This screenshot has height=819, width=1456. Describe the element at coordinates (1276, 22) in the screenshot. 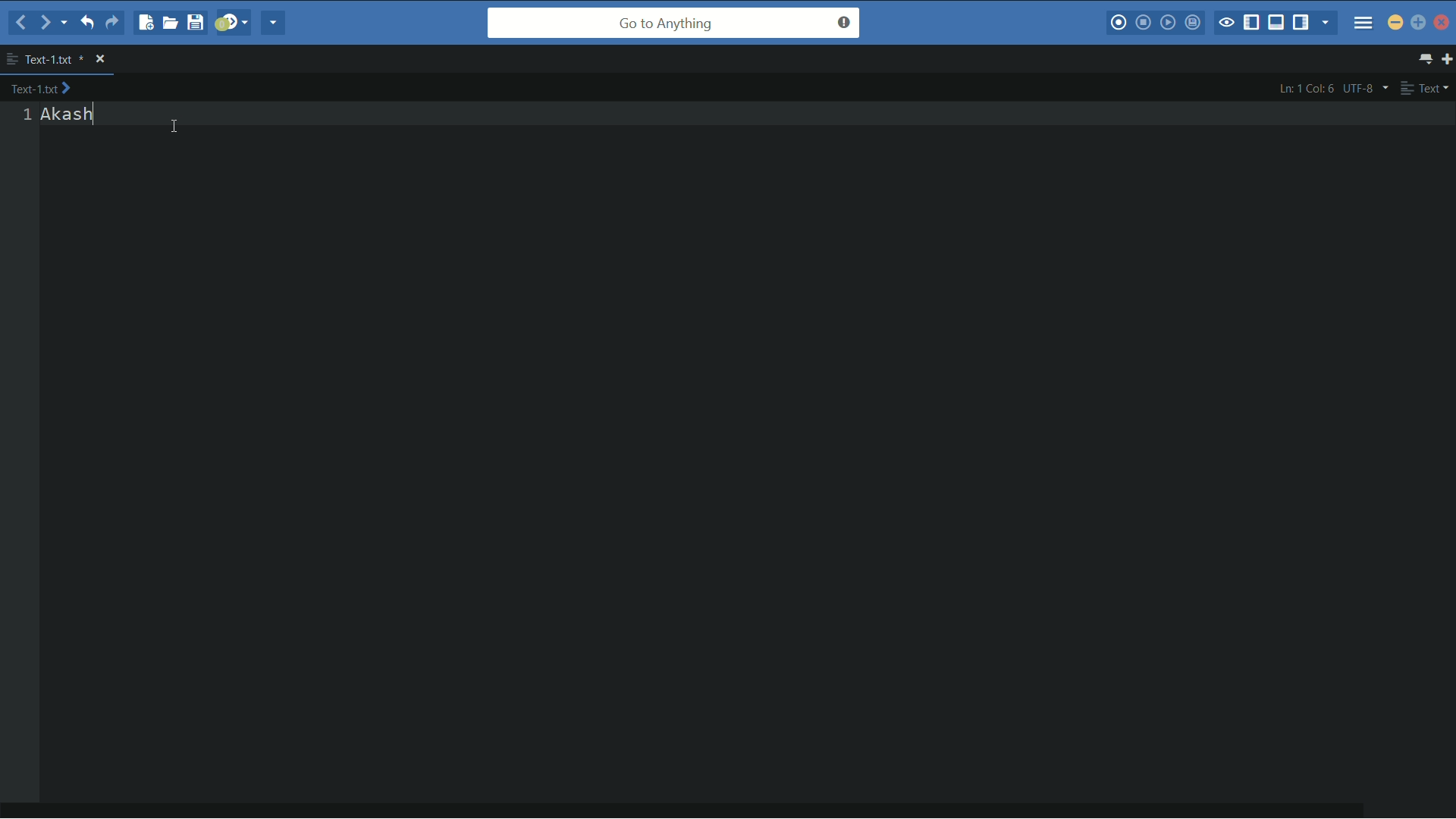

I see `show/hide bottom panel` at that location.